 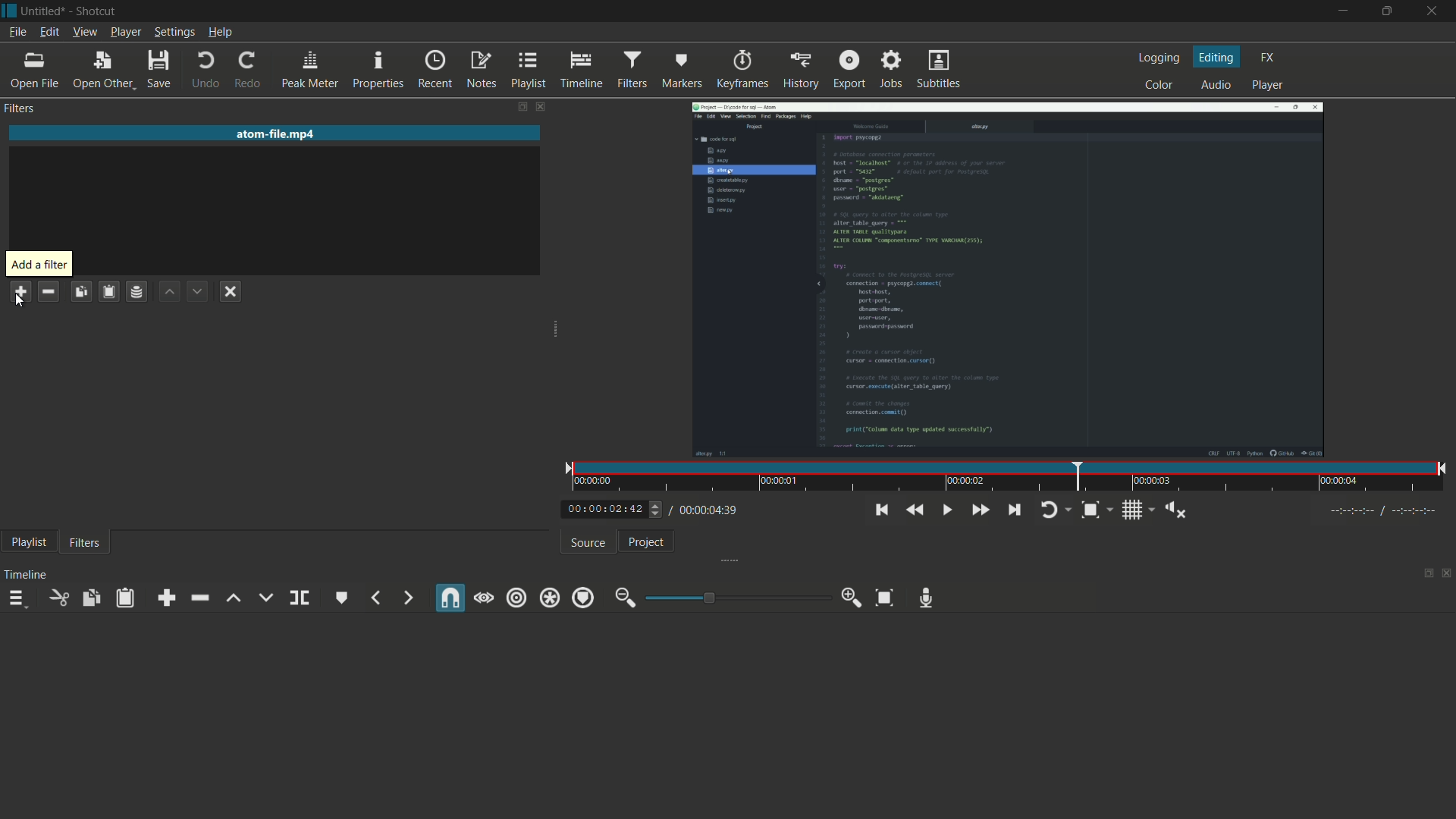 I want to click on logging, so click(x=1159, y=60).